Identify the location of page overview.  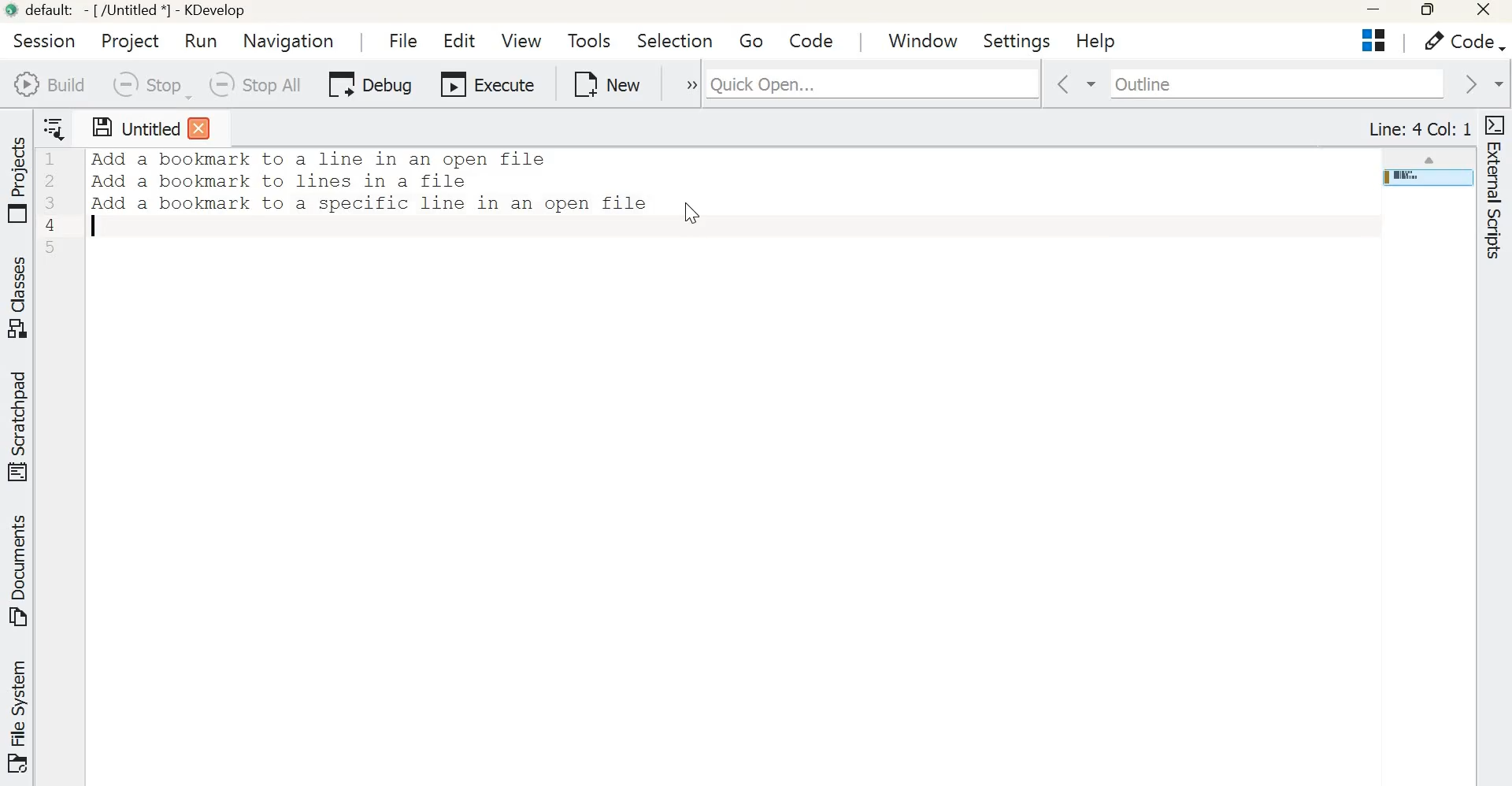
(1429, 181).